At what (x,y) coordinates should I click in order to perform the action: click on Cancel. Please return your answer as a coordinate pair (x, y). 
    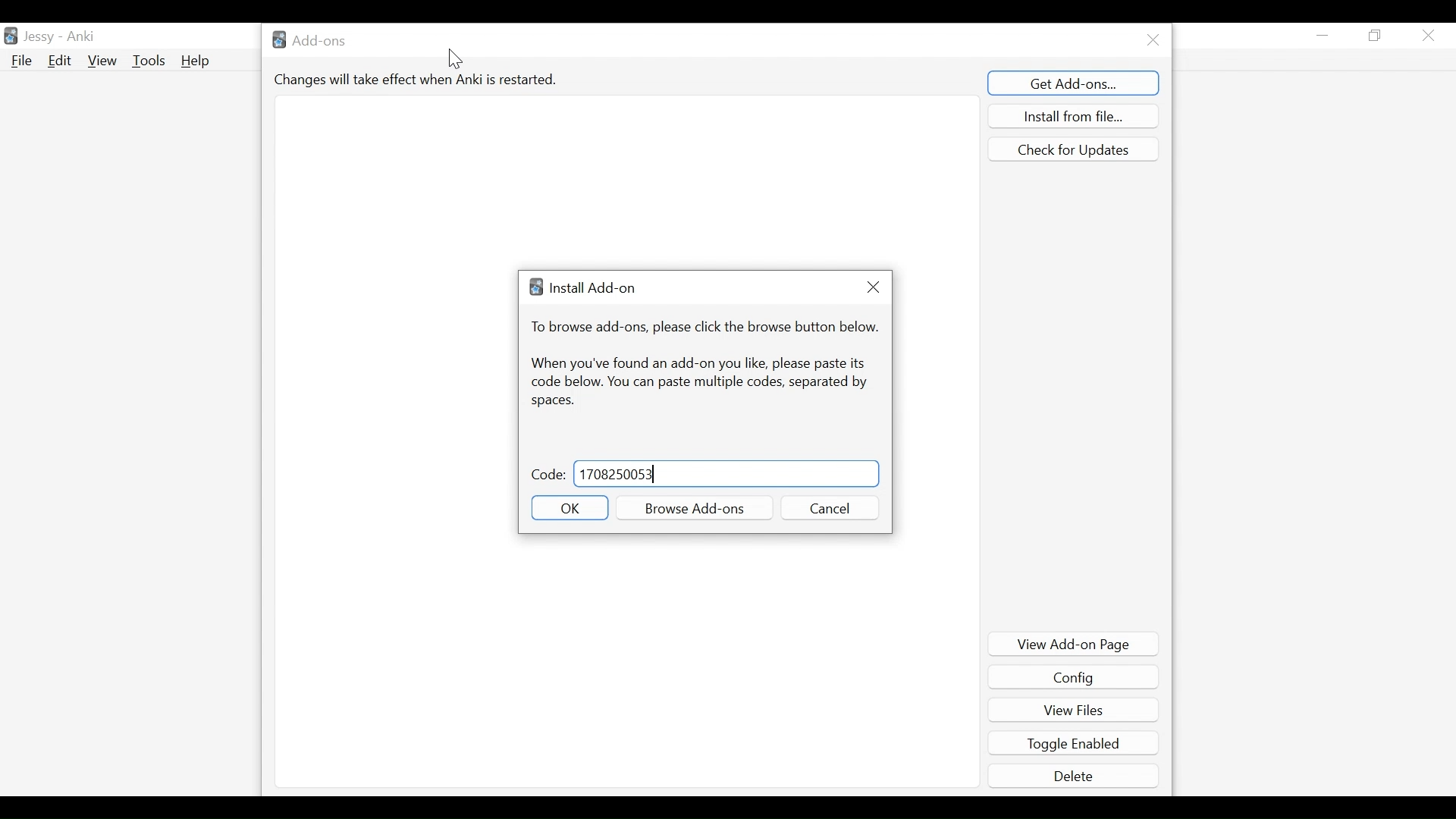
    Looking at the image, I should click on (829, 508).